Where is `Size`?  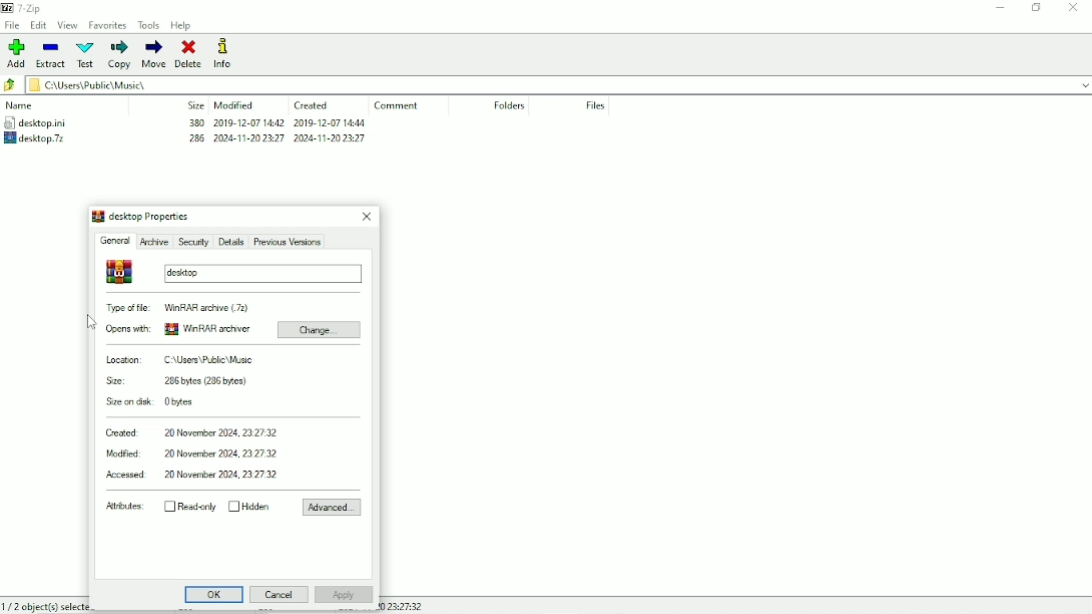 Size is located at coordinates (195, 105).